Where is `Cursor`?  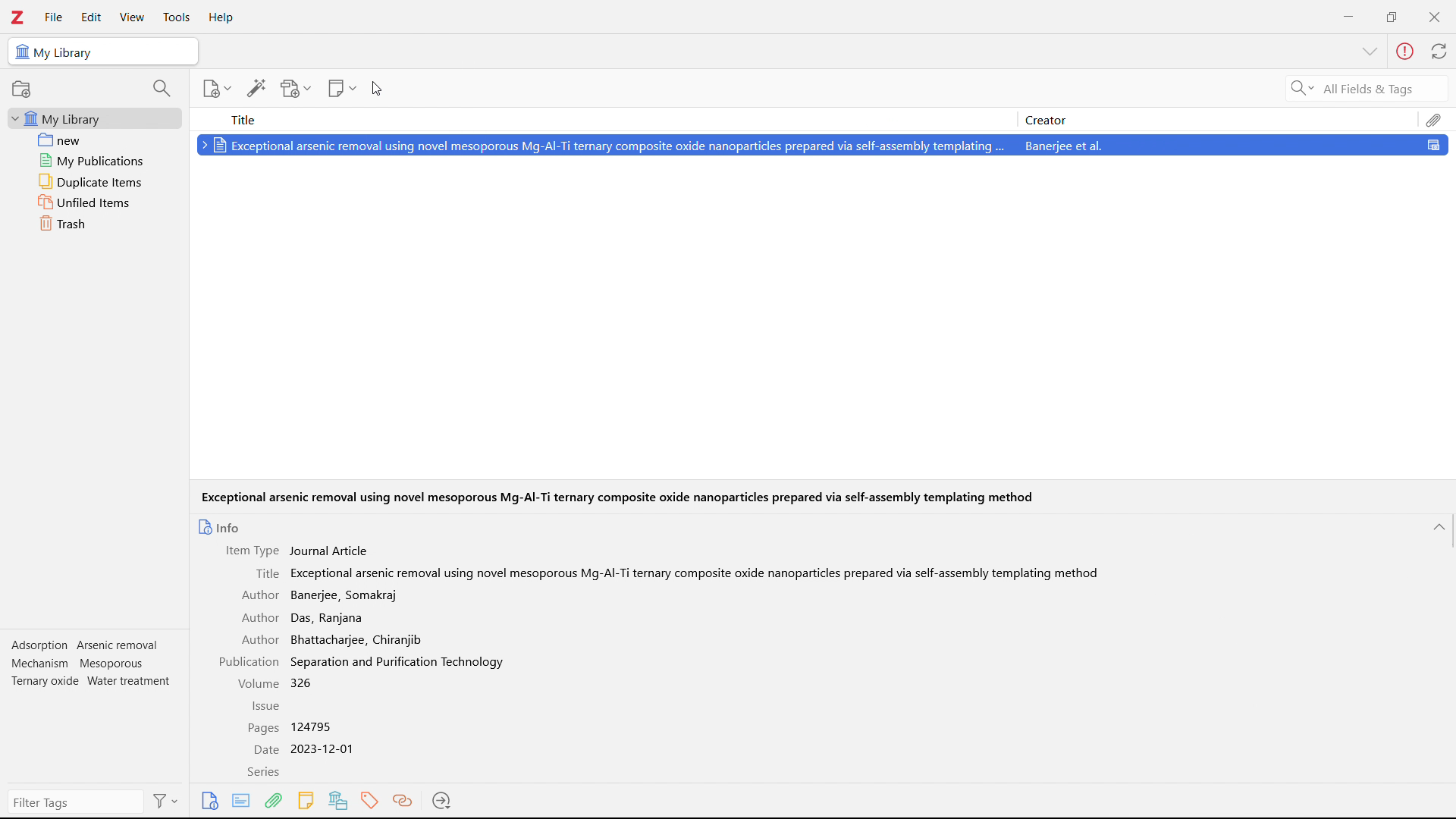
Cursor is located at coordinates (380, 90).